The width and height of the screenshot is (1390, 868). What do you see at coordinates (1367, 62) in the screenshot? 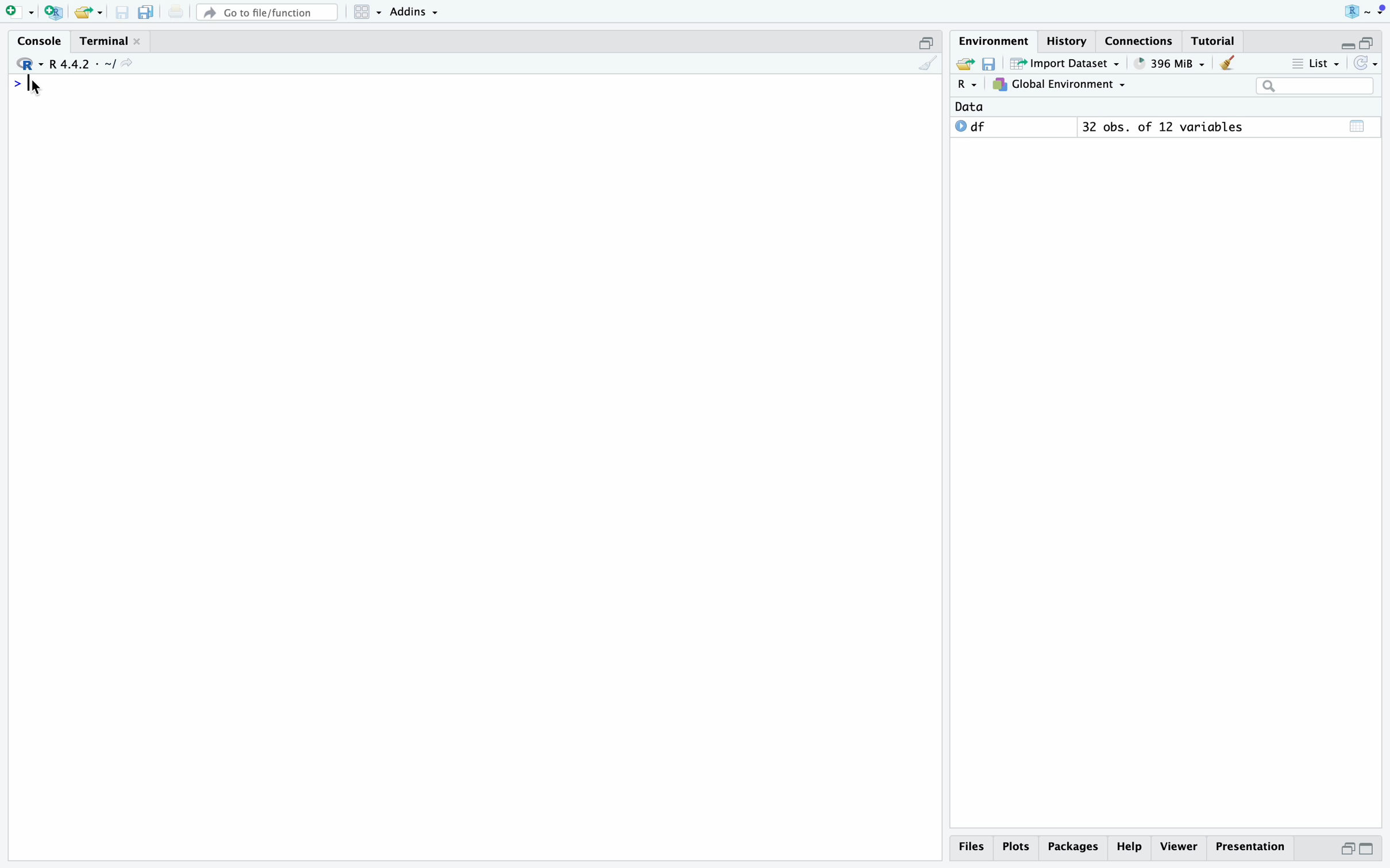
I see `sync` at bounding box center [1367, 62].